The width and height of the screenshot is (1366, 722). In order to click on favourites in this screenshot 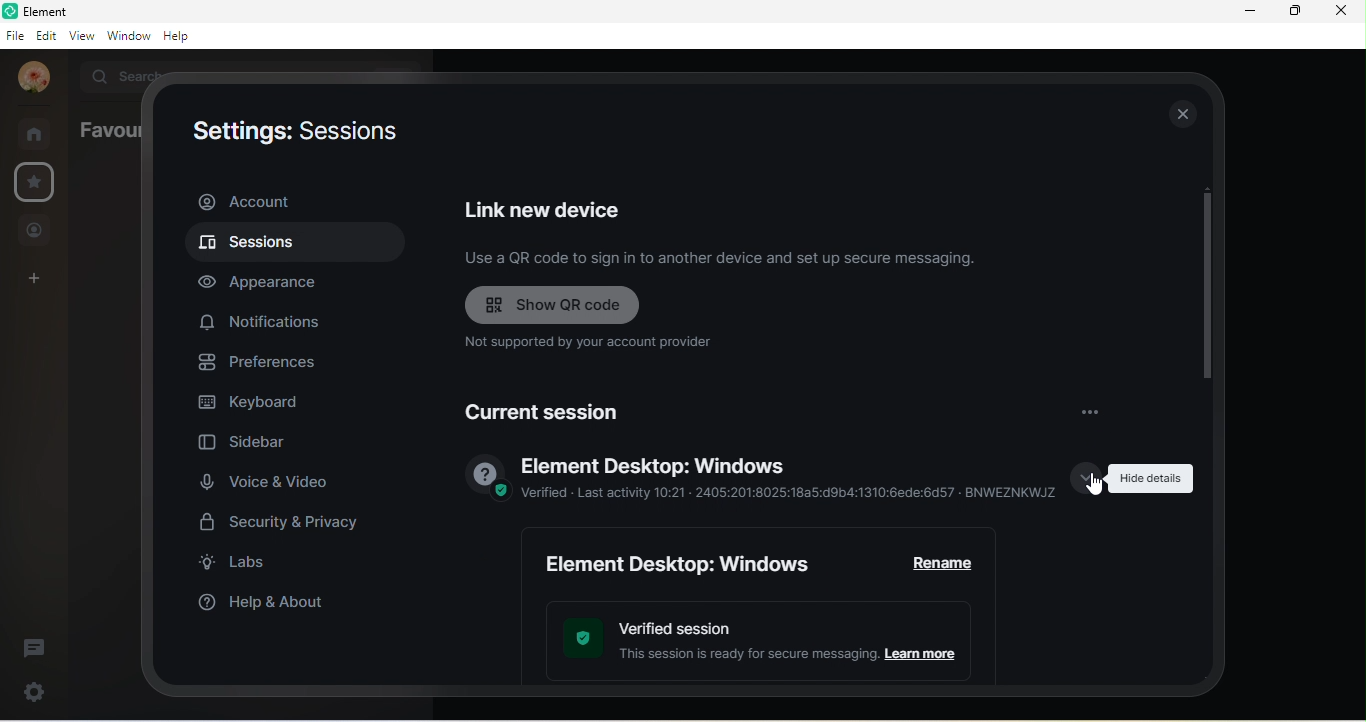, I will do `click(106, 130)`.